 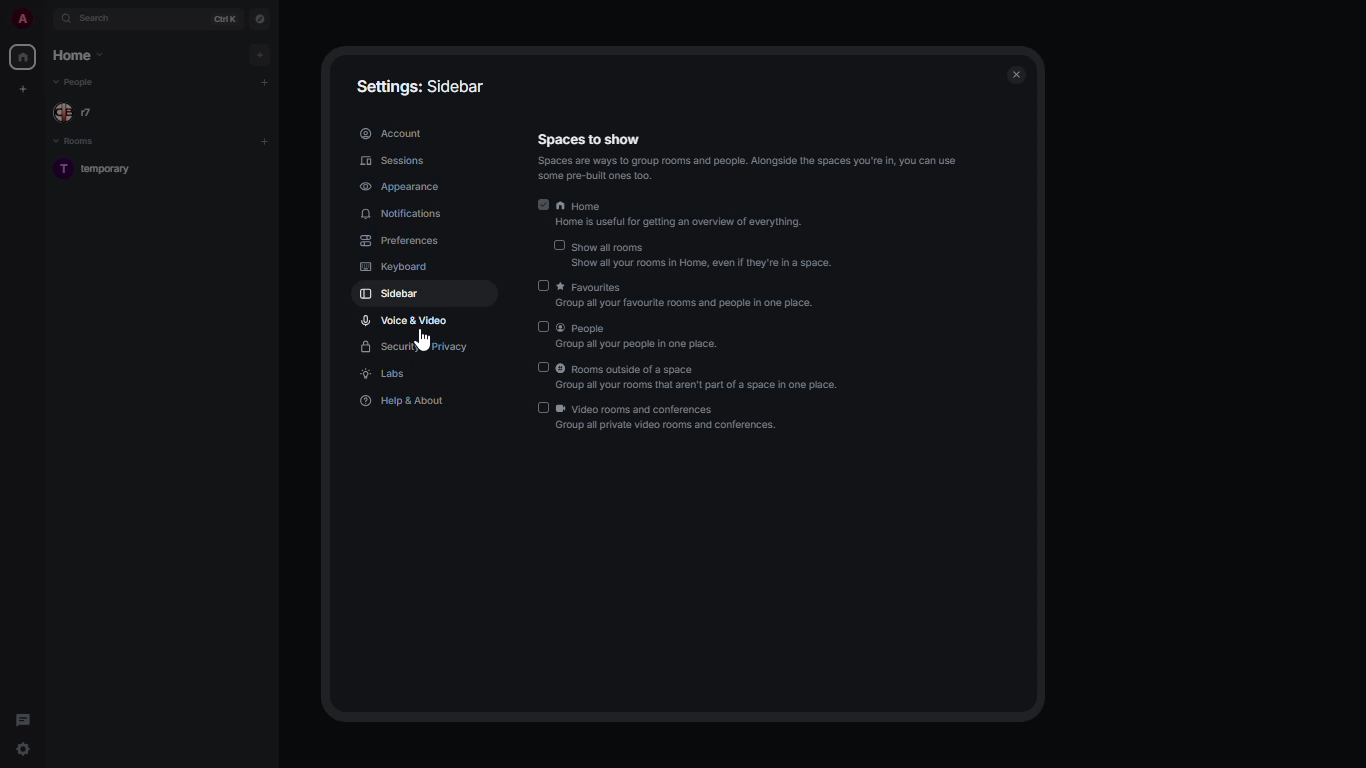 What do you see at coordinates (261, 21) in the screenshot?
I see `navigator` at bounding box center [261, 21].